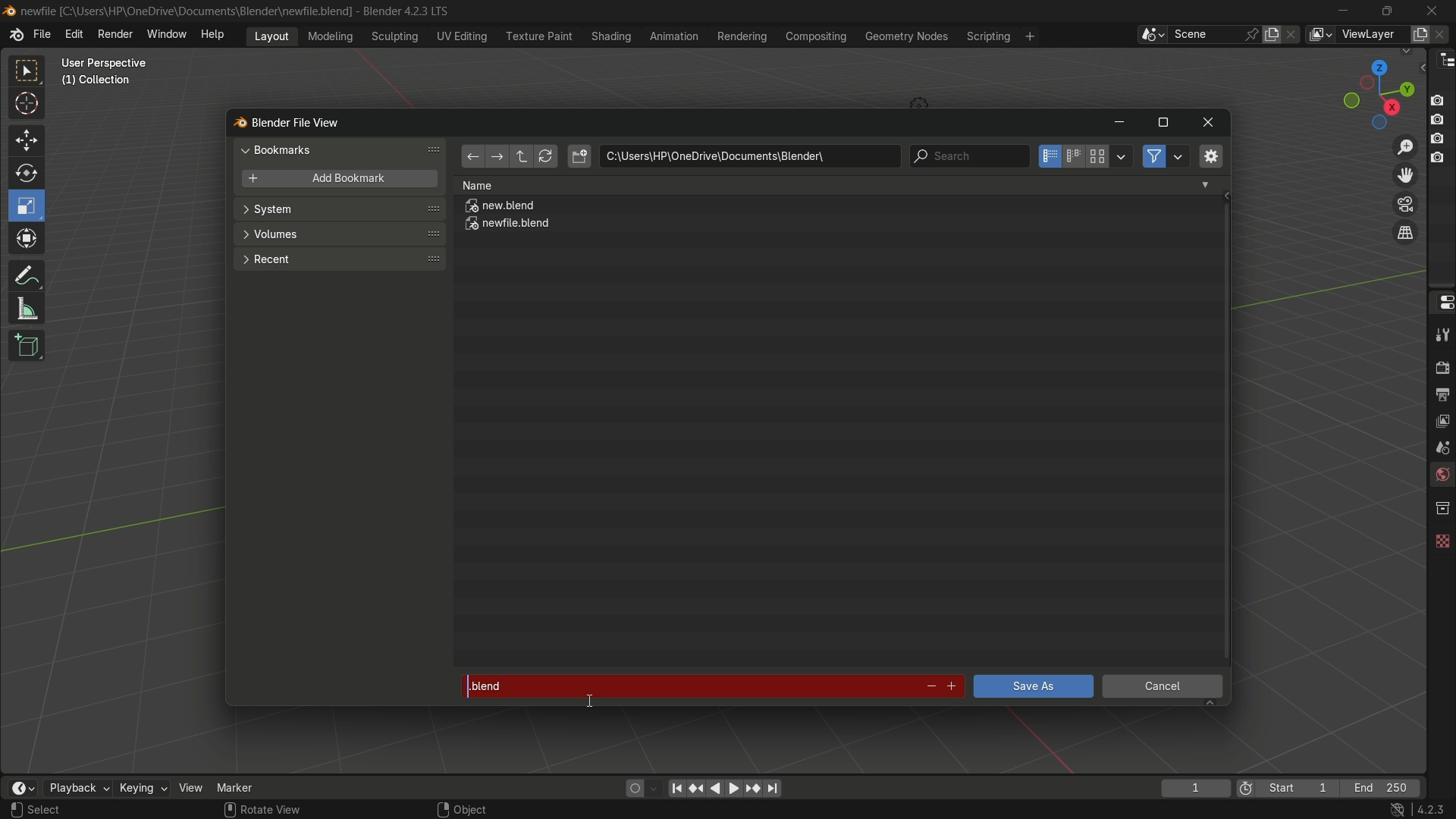  I want to click on add cube, so click(24, 347).